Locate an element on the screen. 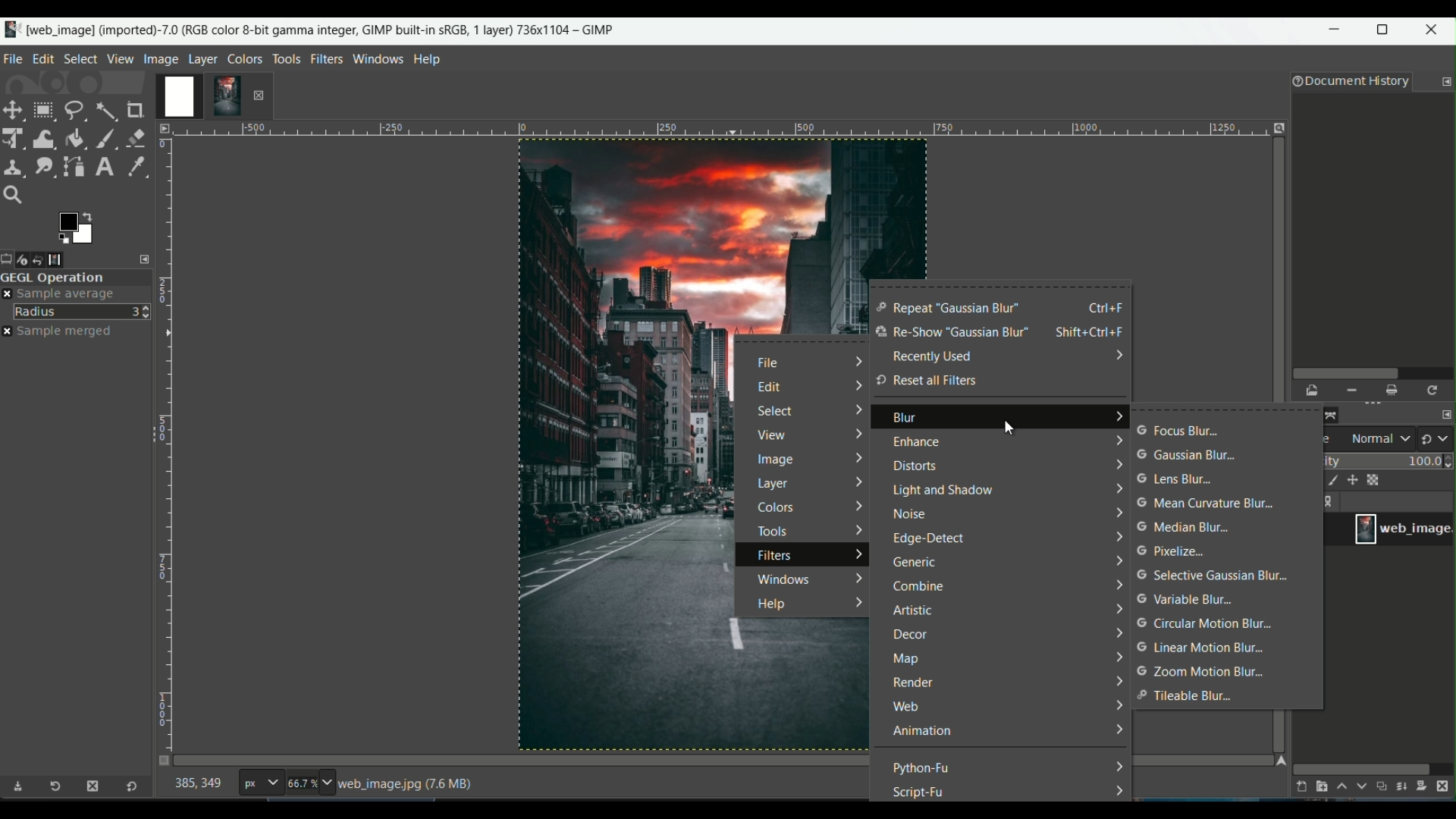 The height and width of the screenshot is (819, 1456). select tab is located at coordinates (80, 58).